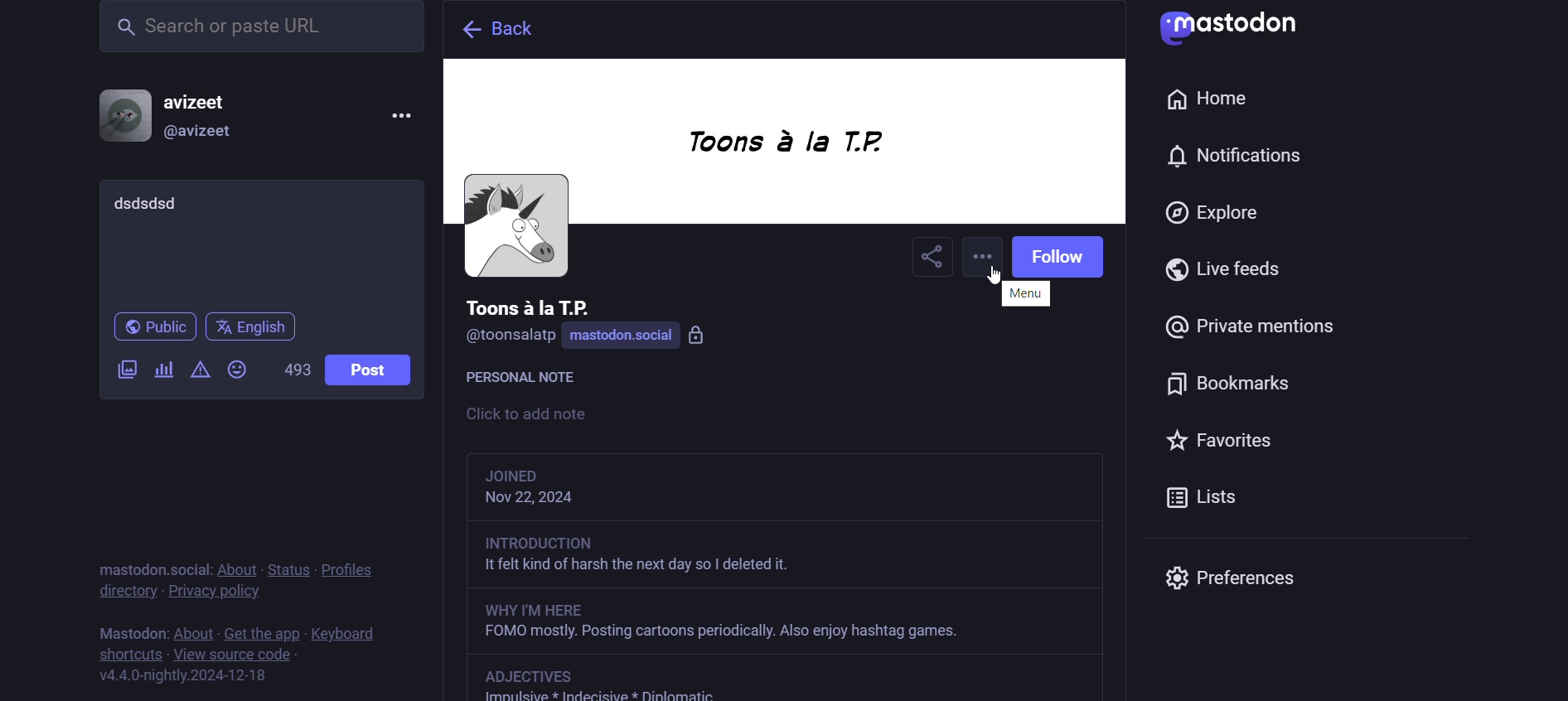 This screenshot has width=1568, height=701. What do you see at coordinates (191, 676) in the screenshot?
I see `version` at bounding box center [191, 676].